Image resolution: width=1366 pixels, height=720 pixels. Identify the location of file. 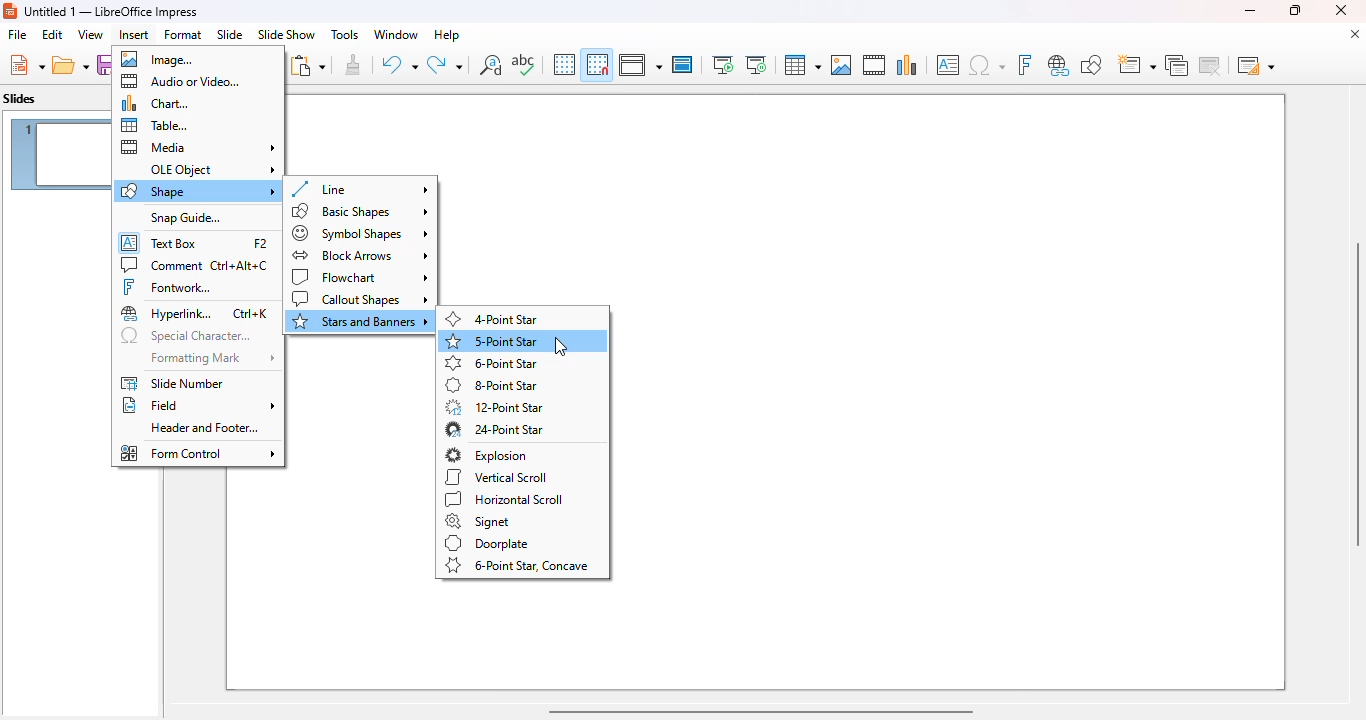
(17, 35).